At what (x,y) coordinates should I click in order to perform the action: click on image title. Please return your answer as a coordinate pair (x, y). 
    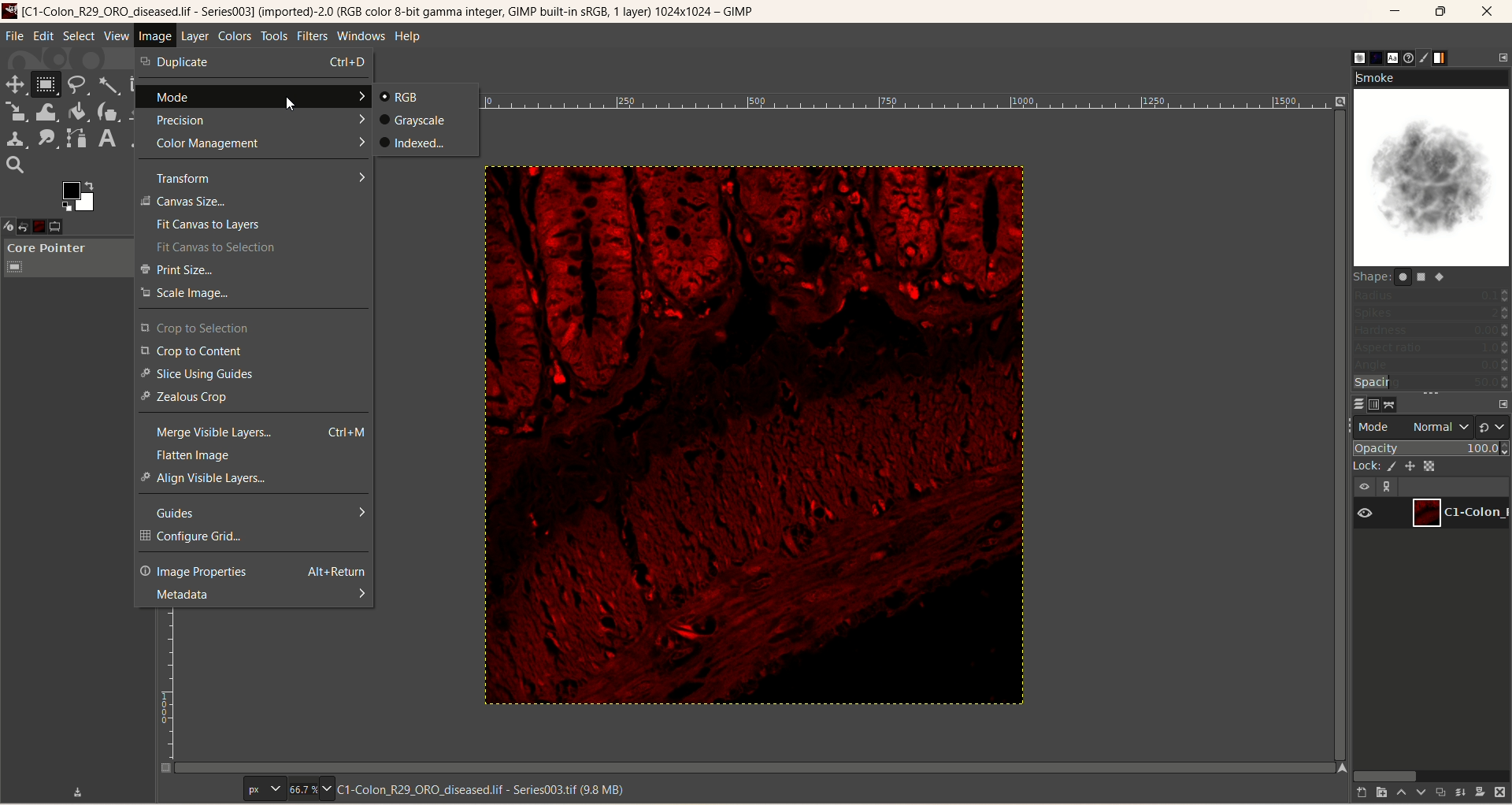
    Looking at the image, I should click on (487, 788).